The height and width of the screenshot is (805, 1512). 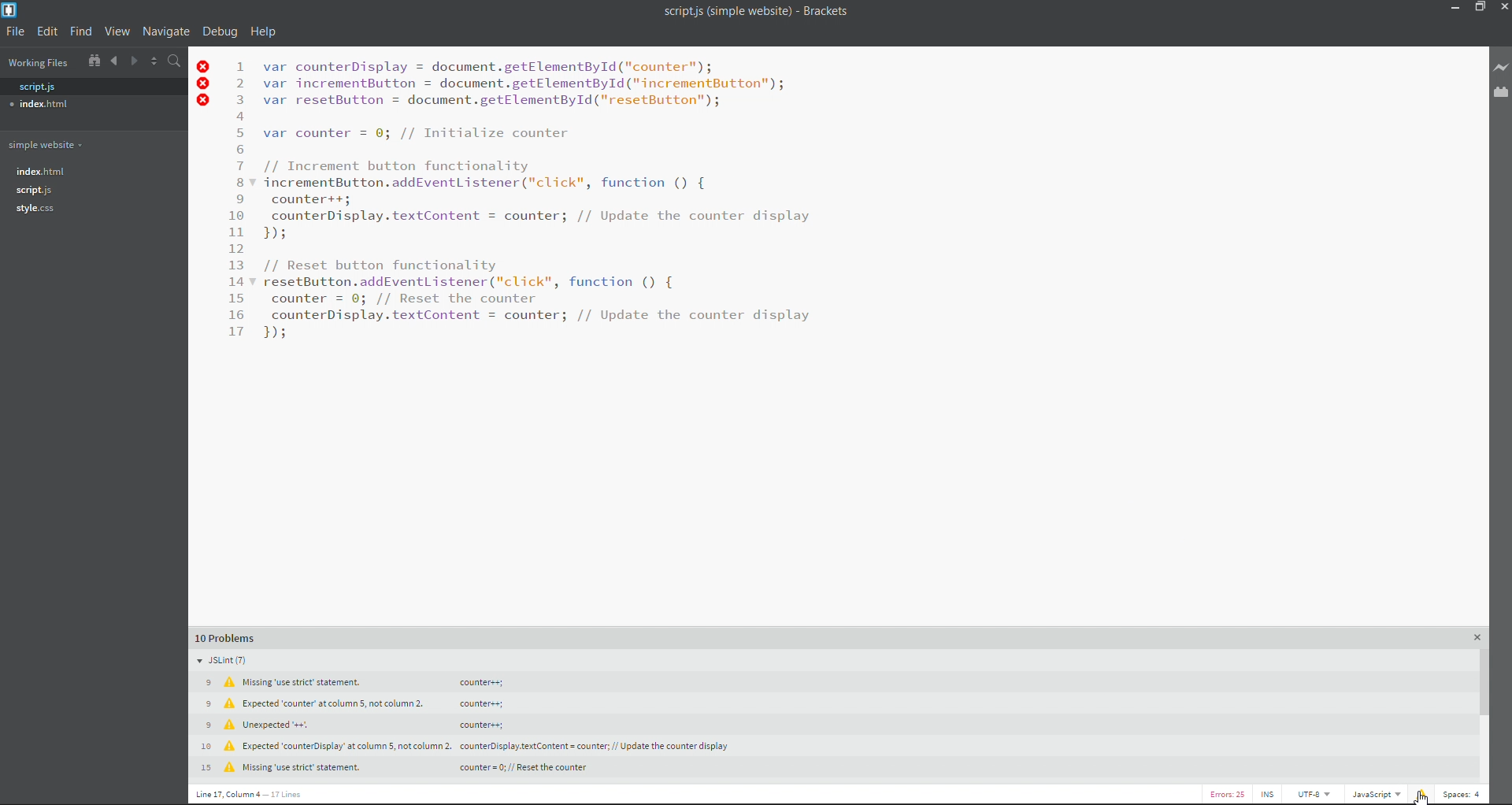 What do you see at coordinates (113, 61) in the screenshot?
I see `navigate backward` at bounding box center [113, 61].